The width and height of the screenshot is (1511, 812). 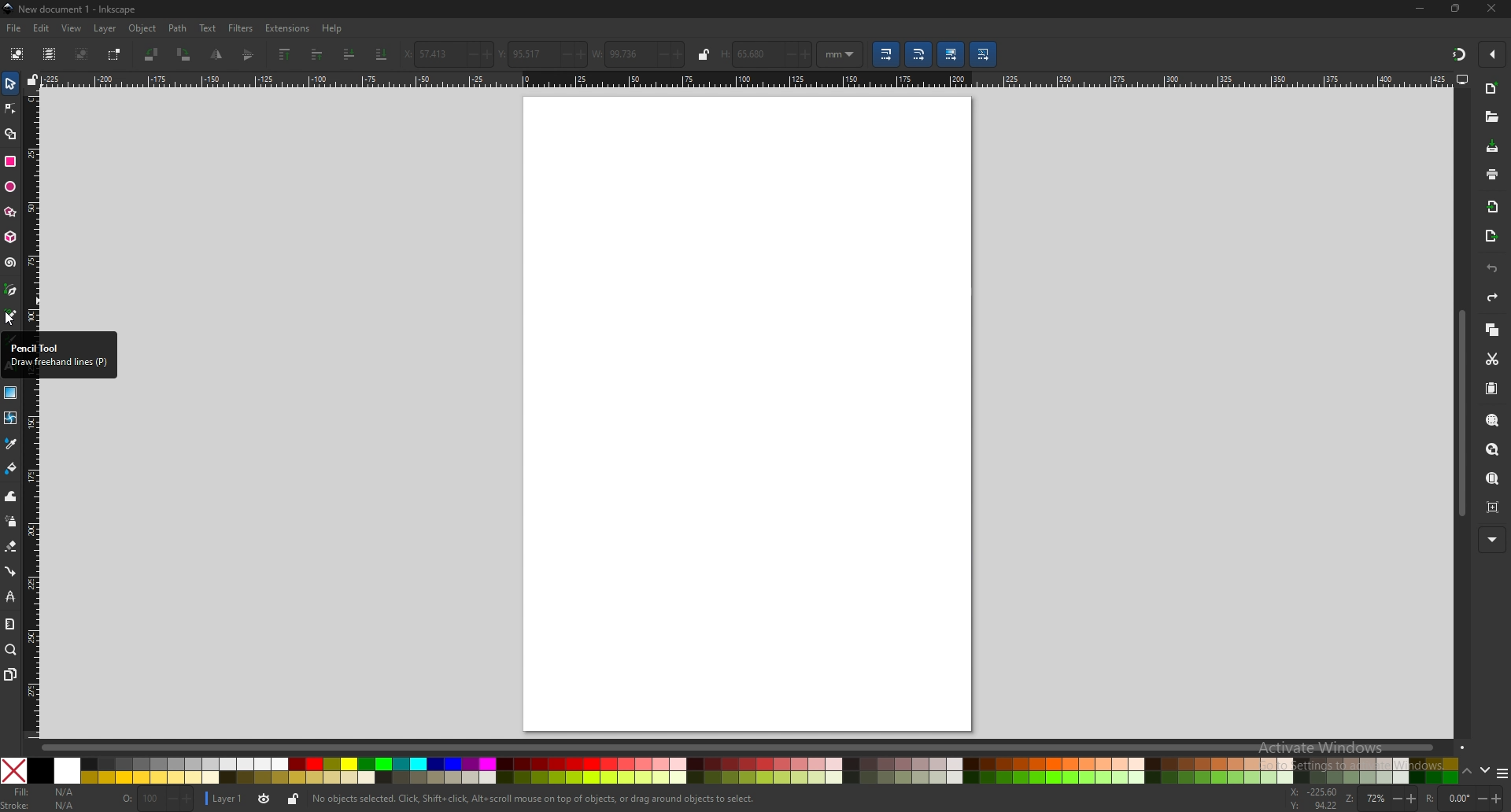 I want to click on opacity, so click(x=157, y=799).